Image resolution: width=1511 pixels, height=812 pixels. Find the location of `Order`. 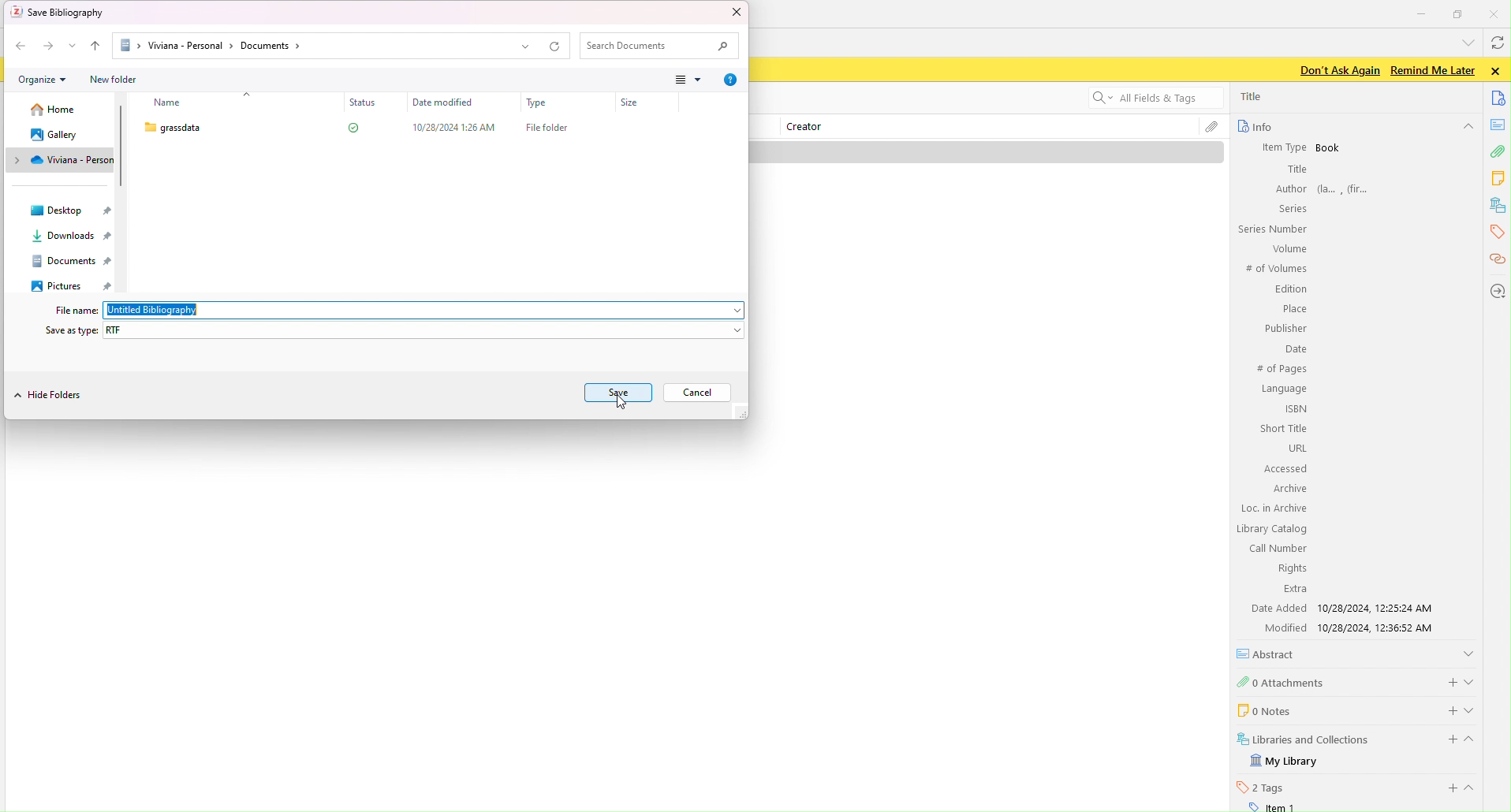

Order is located at coordinates (96, 47).